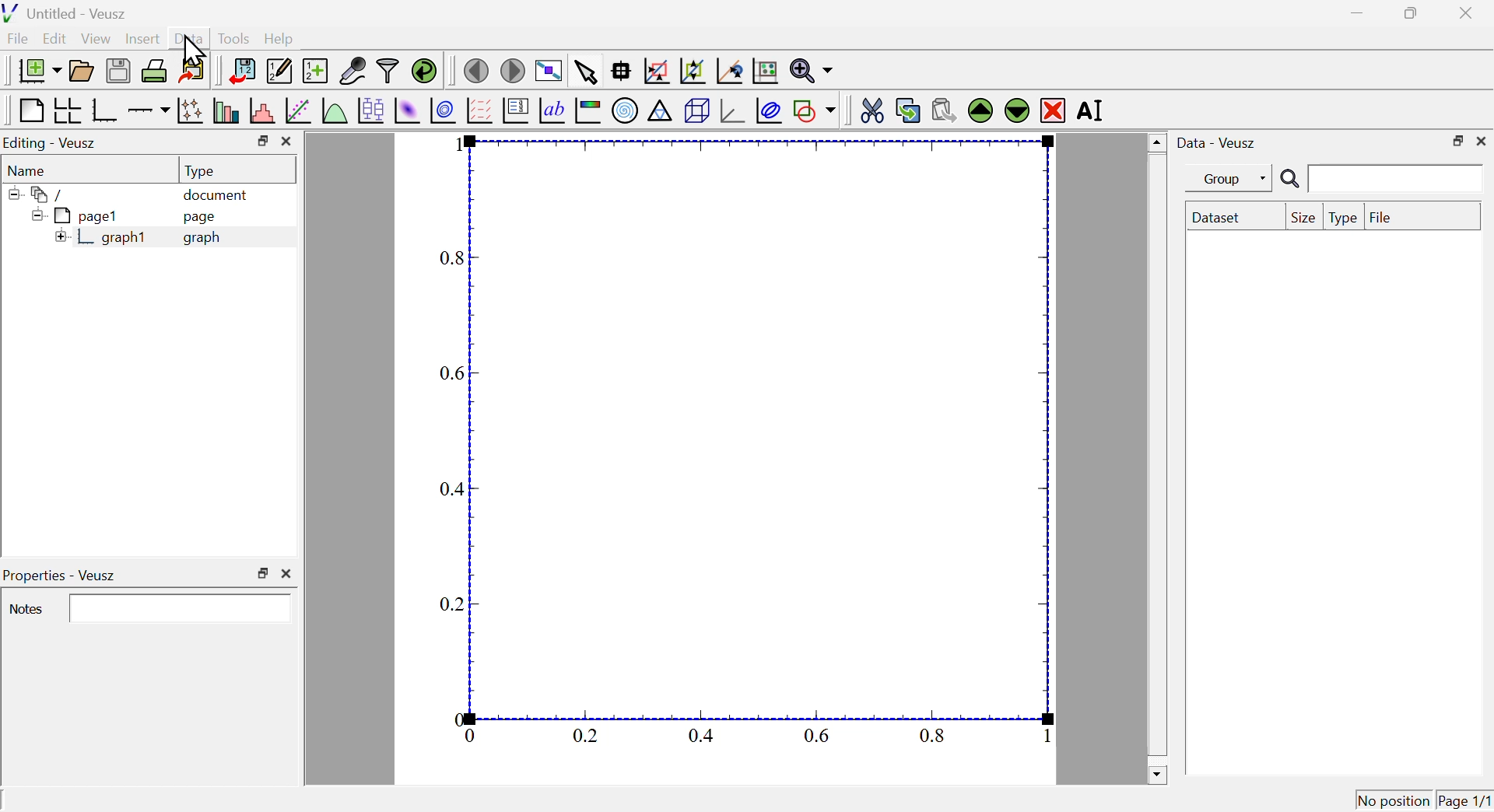  Describe the element at coordinates (479, 110) in the screenshot. I see `plot a vector field` at that location.